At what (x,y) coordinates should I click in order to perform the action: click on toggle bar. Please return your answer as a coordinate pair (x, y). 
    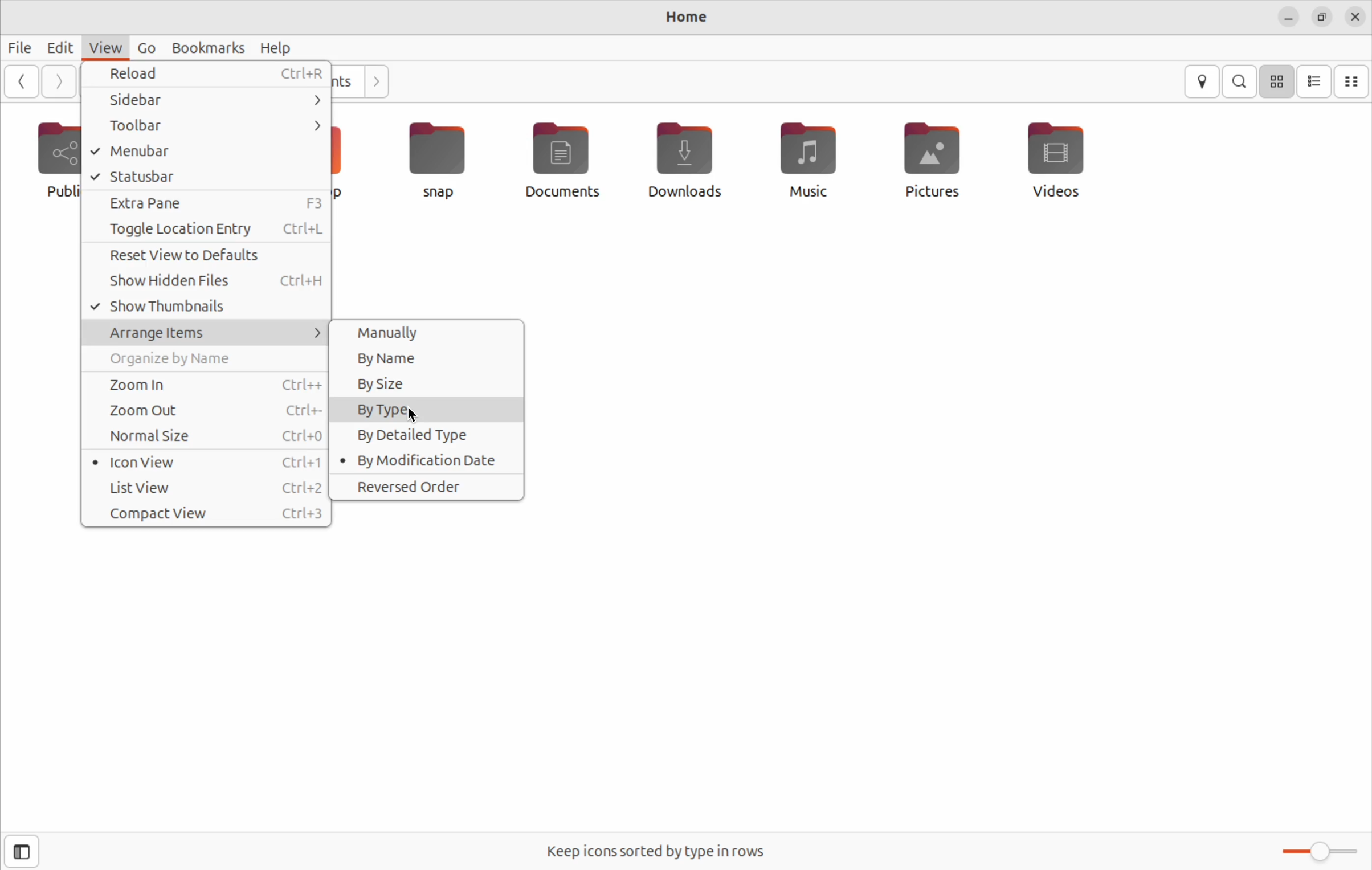
    Looking at the image, I should click on (1314, 851).